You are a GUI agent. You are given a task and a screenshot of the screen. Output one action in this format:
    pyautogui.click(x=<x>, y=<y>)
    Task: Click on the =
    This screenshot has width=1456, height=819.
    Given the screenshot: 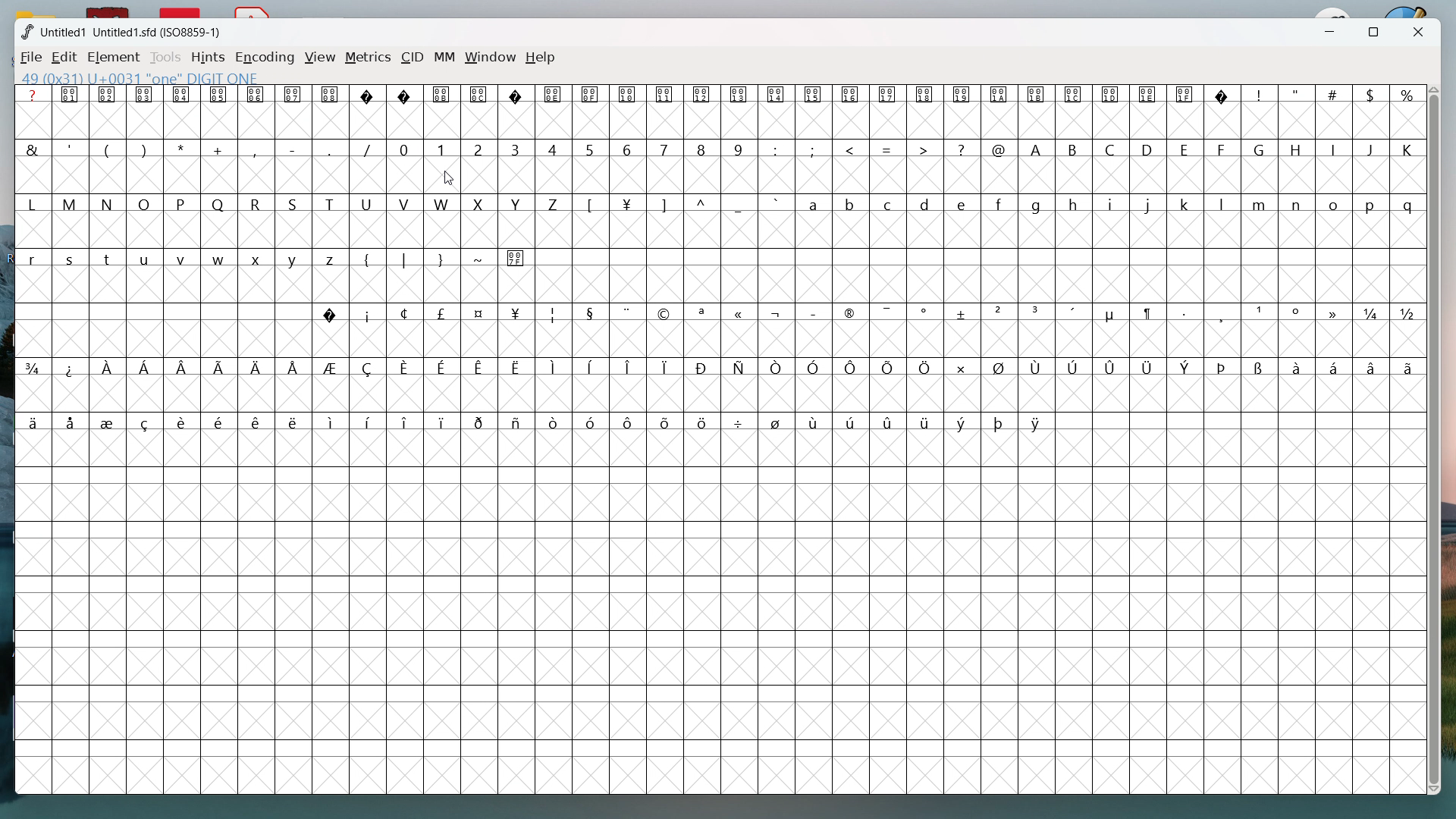 What is the action you would take?
    pyautogui.click(x=887, y=147)
    